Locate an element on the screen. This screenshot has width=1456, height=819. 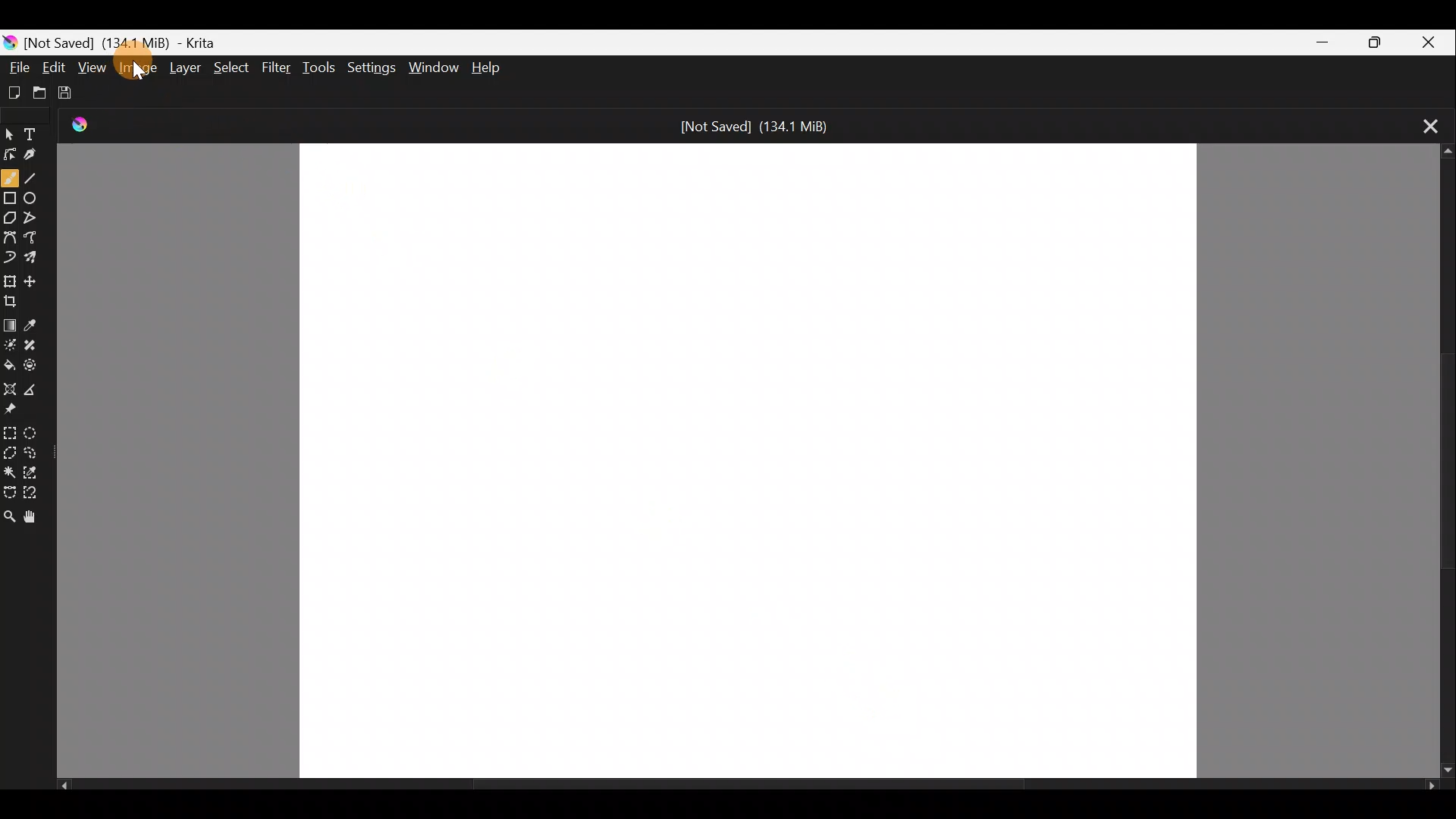
[Not Saved] (134.1 MiB) is located at coordinates (759, 127).